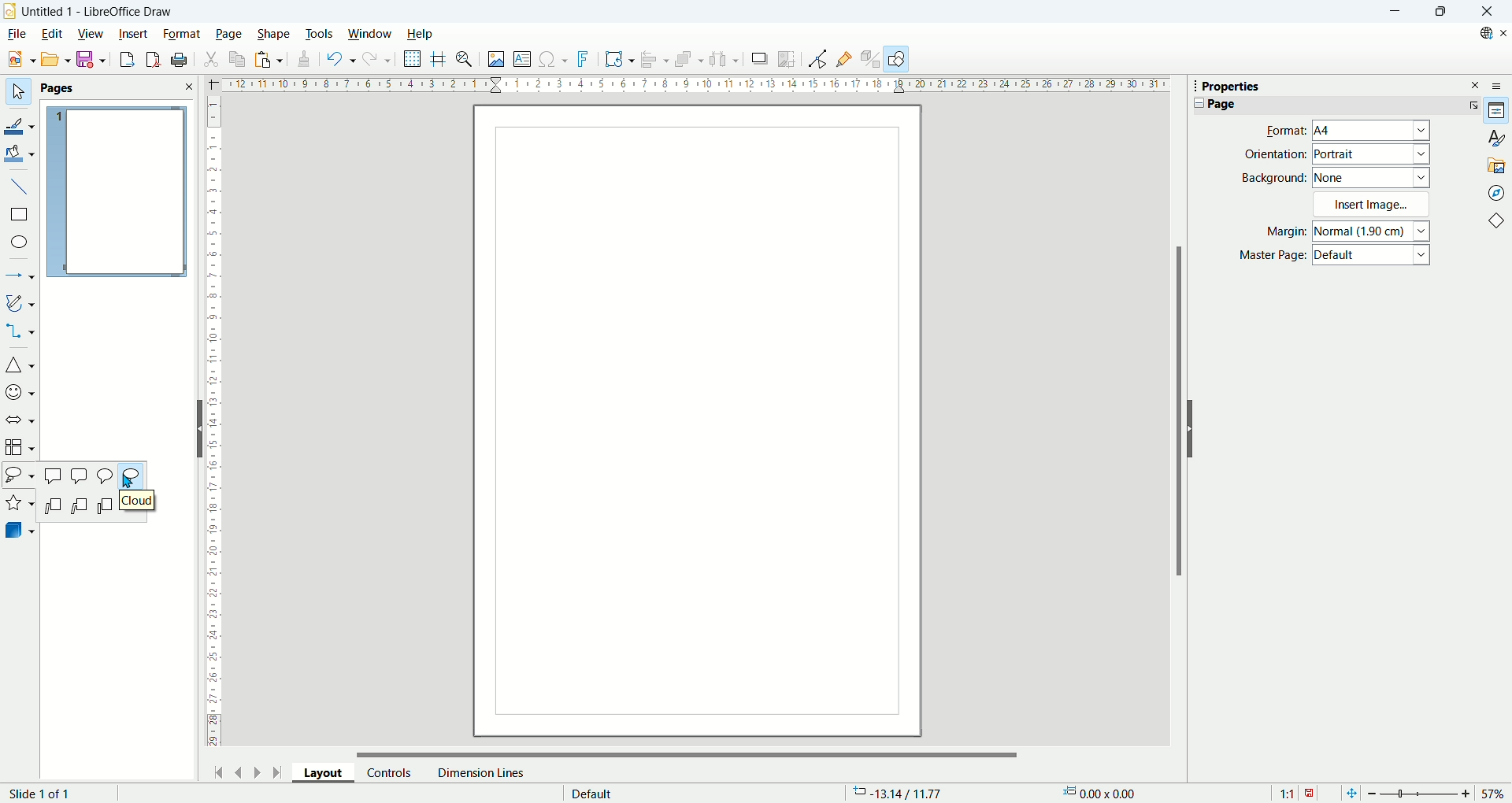 The image size is (1512, 803). What do you see at coordinates (1350, 792) in the screenshot?
I see `fit to window screen` at bounding box center [1350, 792].